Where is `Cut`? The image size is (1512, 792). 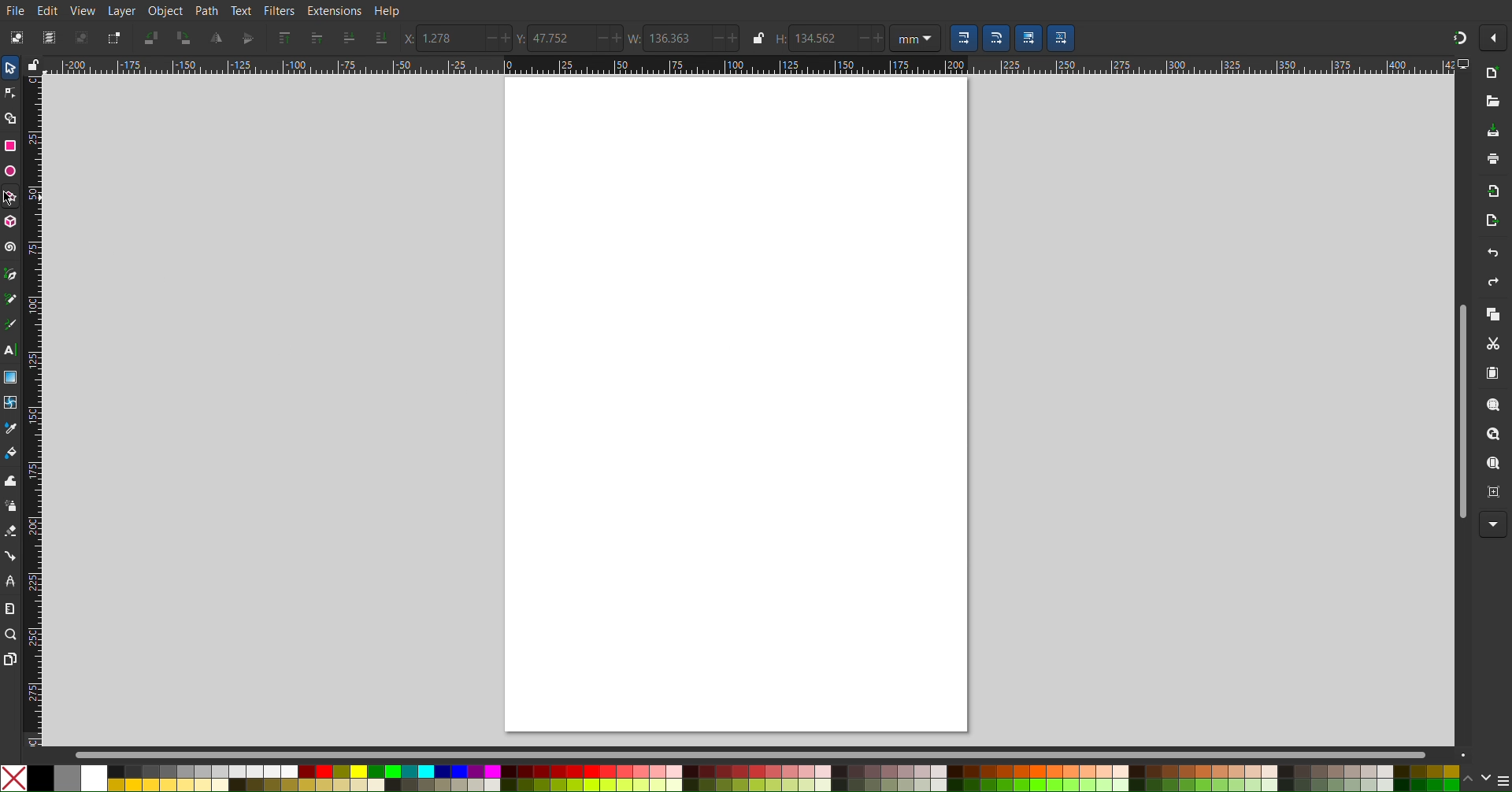 Cut is located at coordinates (1496, 344).